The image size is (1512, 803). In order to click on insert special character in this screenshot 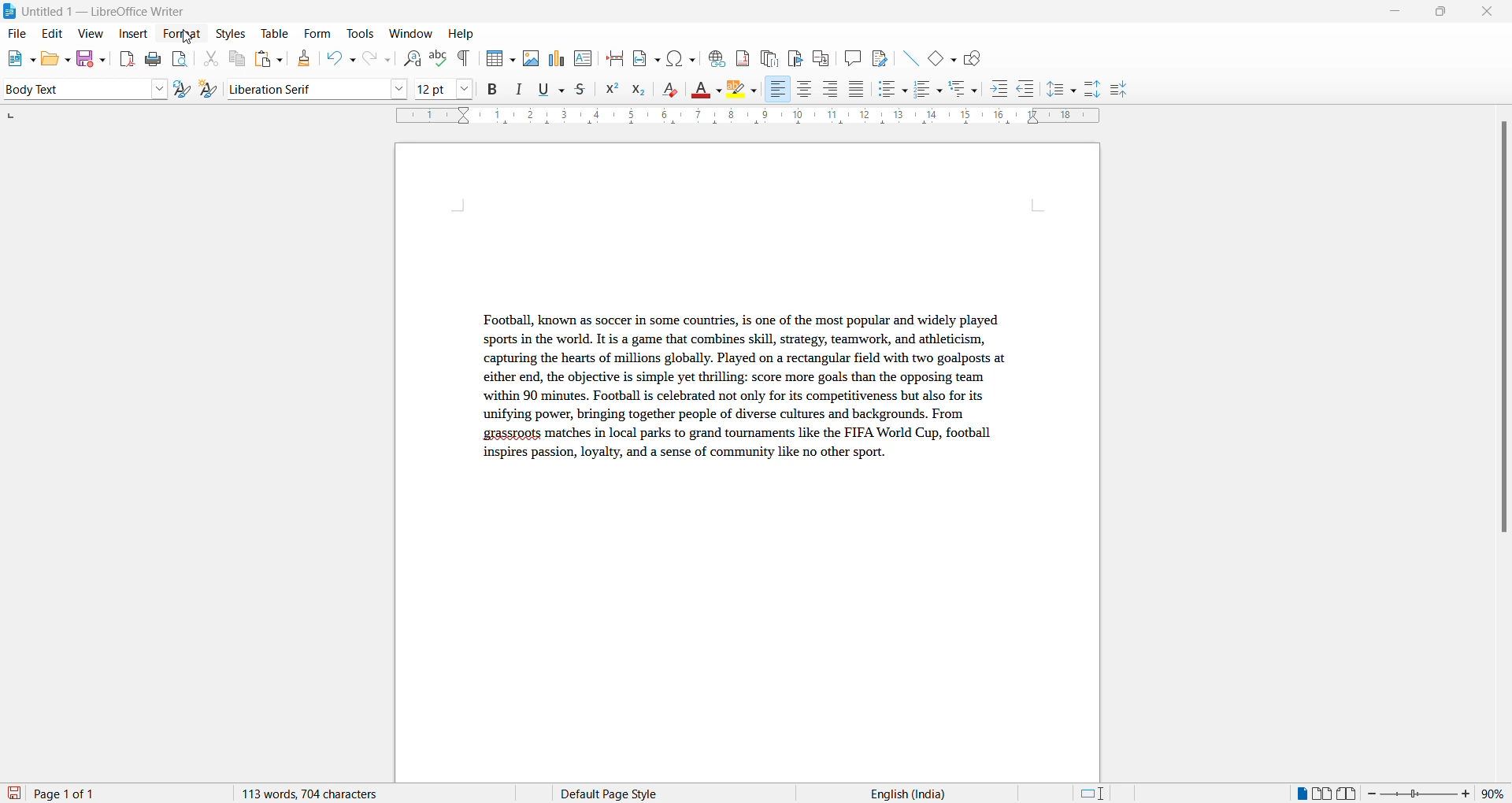, I will do `click(680, 56)`.